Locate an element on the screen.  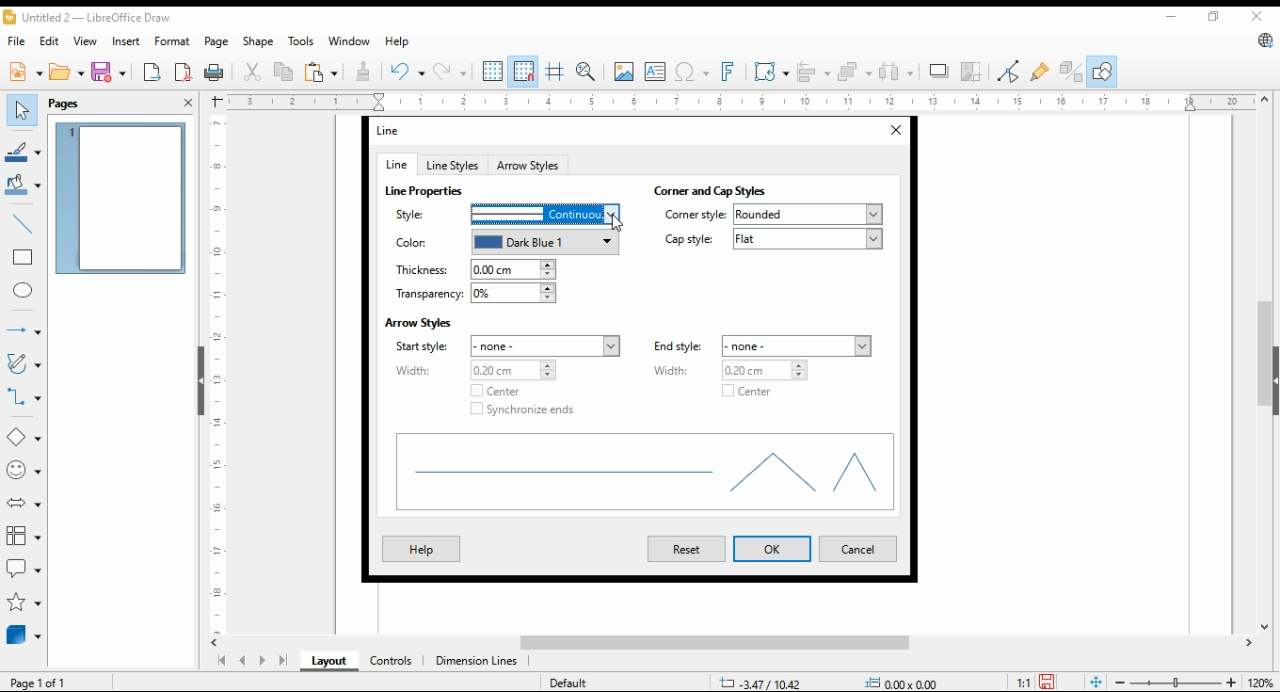
checkbox: center is located at coordinates (492, 391).